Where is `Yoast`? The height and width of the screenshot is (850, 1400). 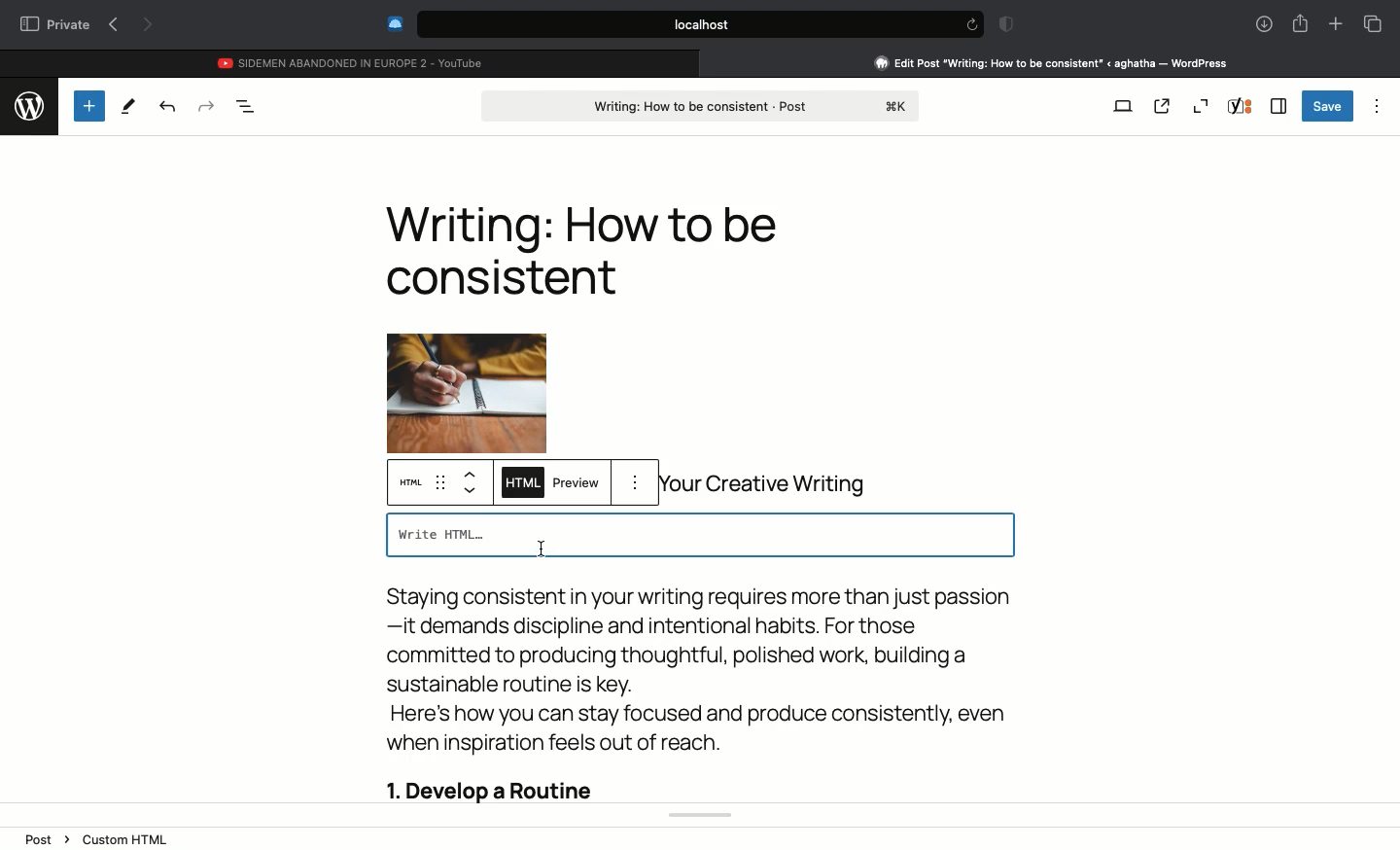 Yoast is located at coordinates (1241, 106).